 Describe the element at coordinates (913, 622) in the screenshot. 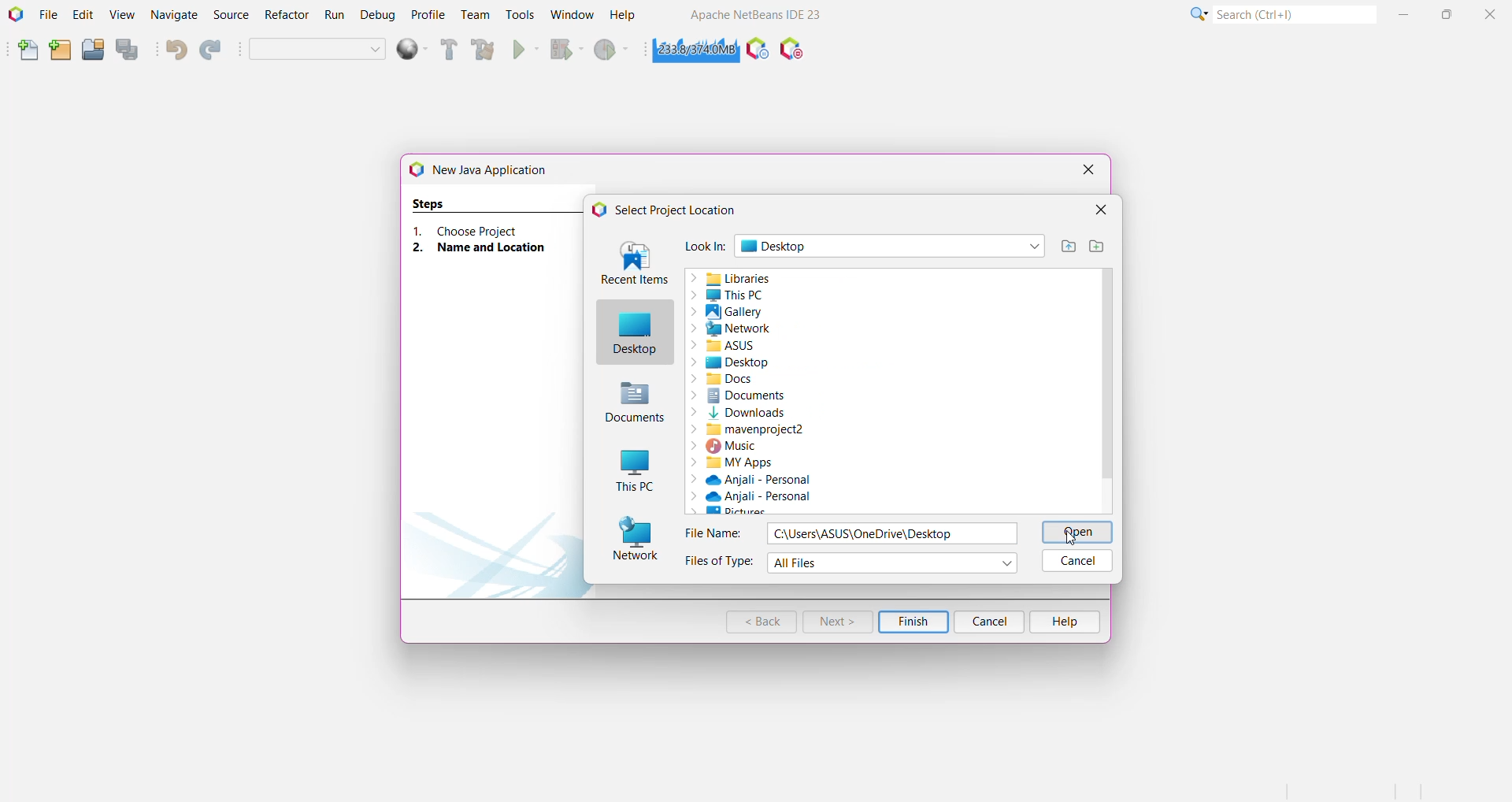

I see `Finish` at that location.